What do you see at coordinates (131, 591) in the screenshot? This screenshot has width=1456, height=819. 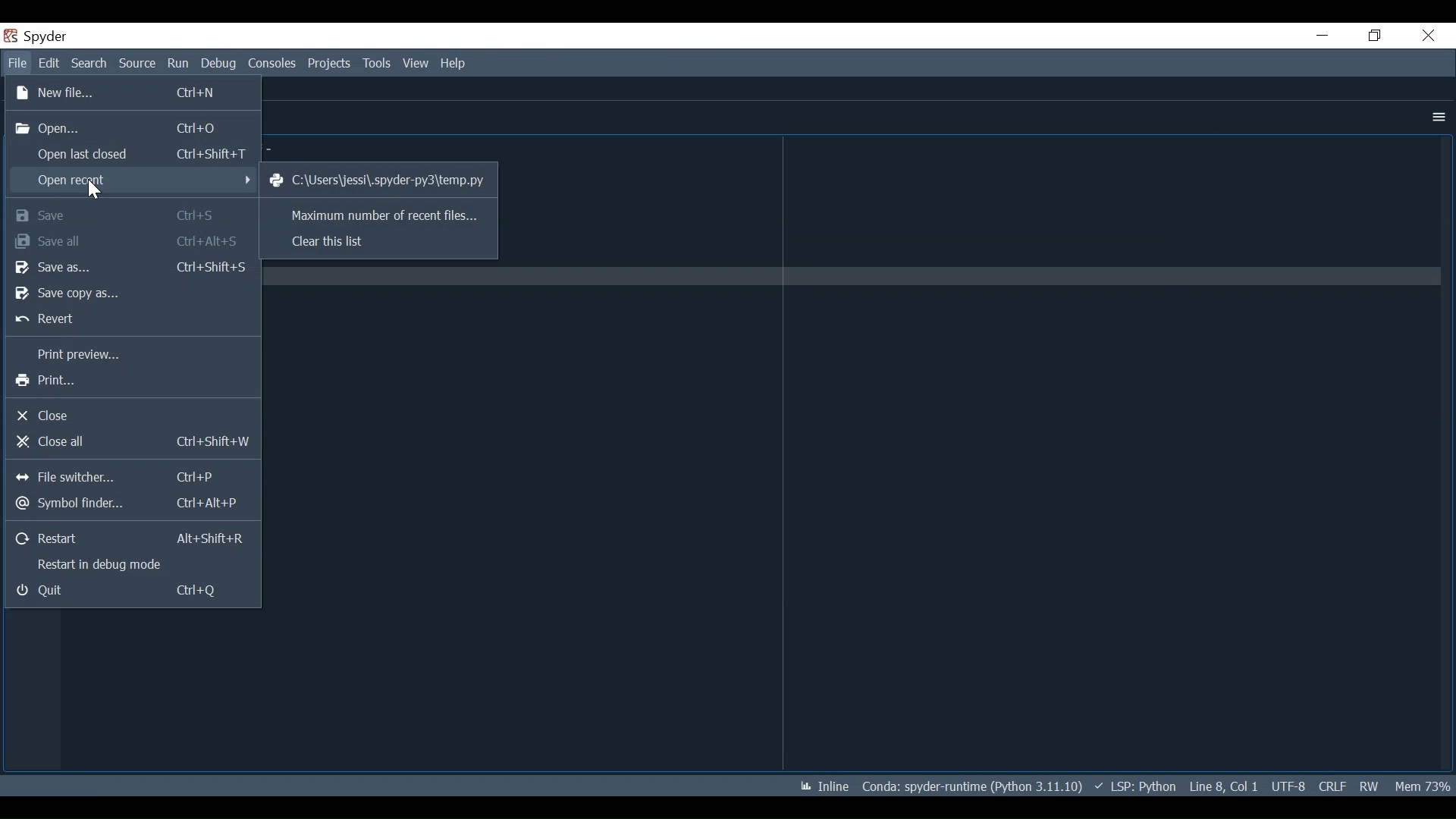 I see `Quit` at bounding box center [131, 591].